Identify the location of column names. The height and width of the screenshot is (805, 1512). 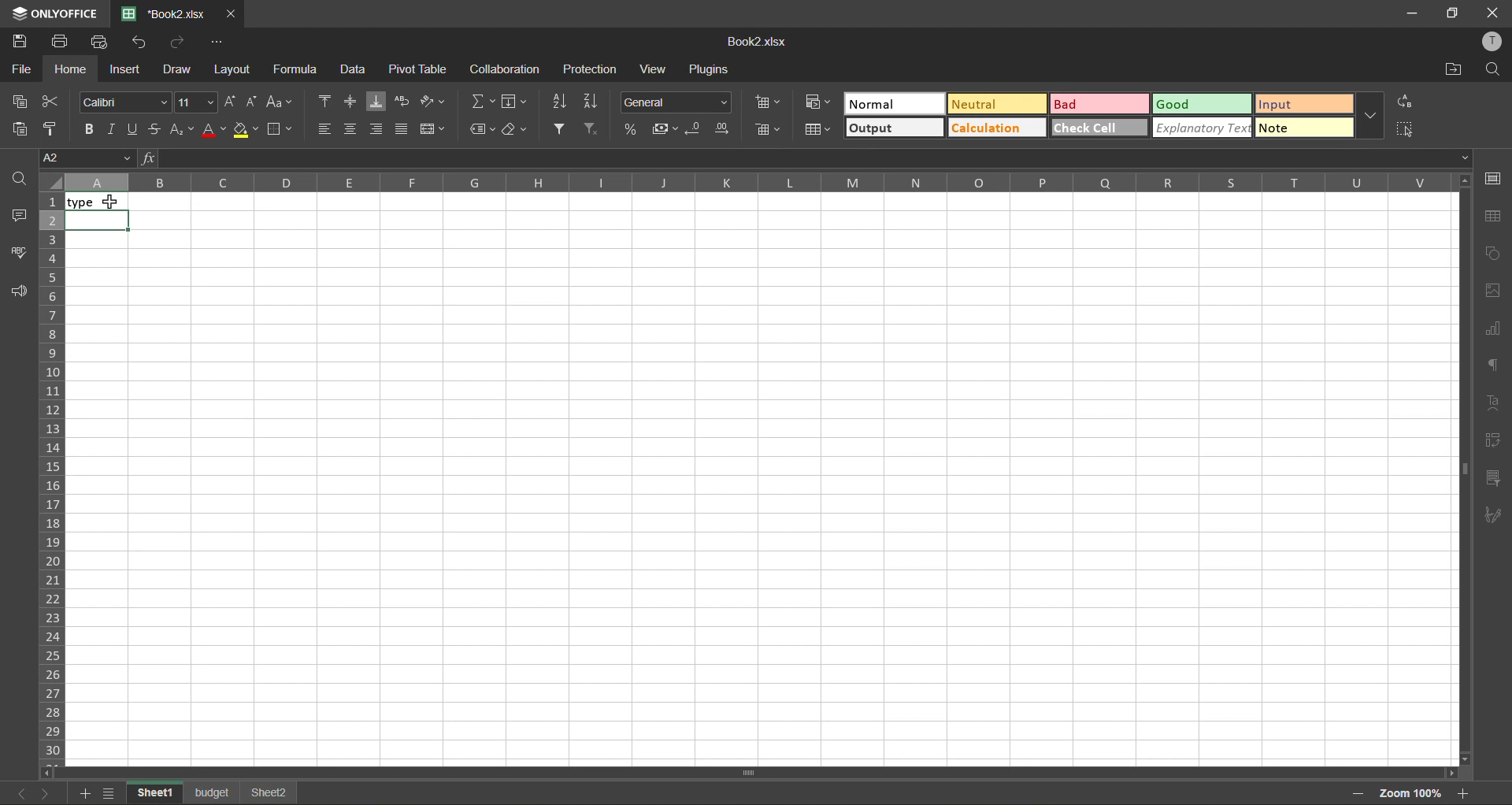
(759, 182).